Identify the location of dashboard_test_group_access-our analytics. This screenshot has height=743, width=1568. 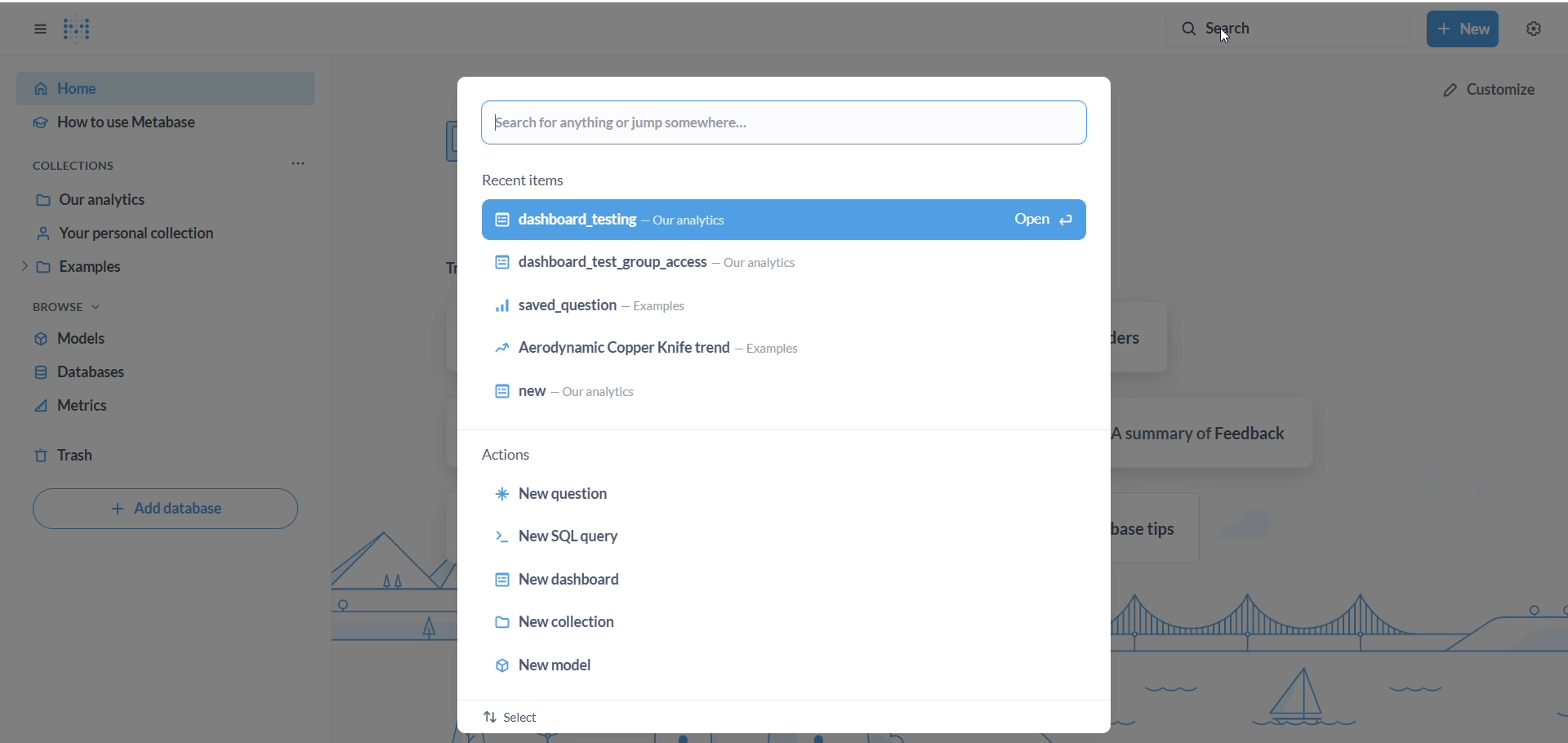
(773, 268).